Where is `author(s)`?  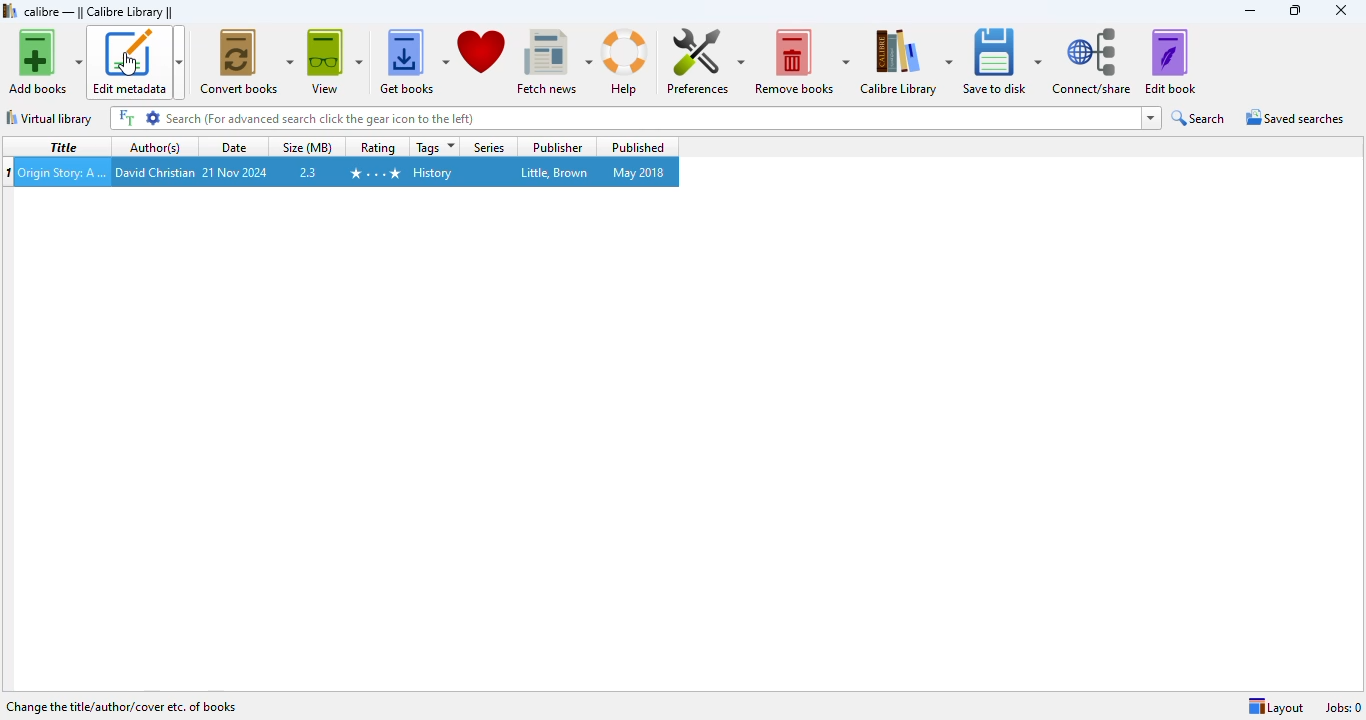
author(s) is located at coordinates (155, 146).